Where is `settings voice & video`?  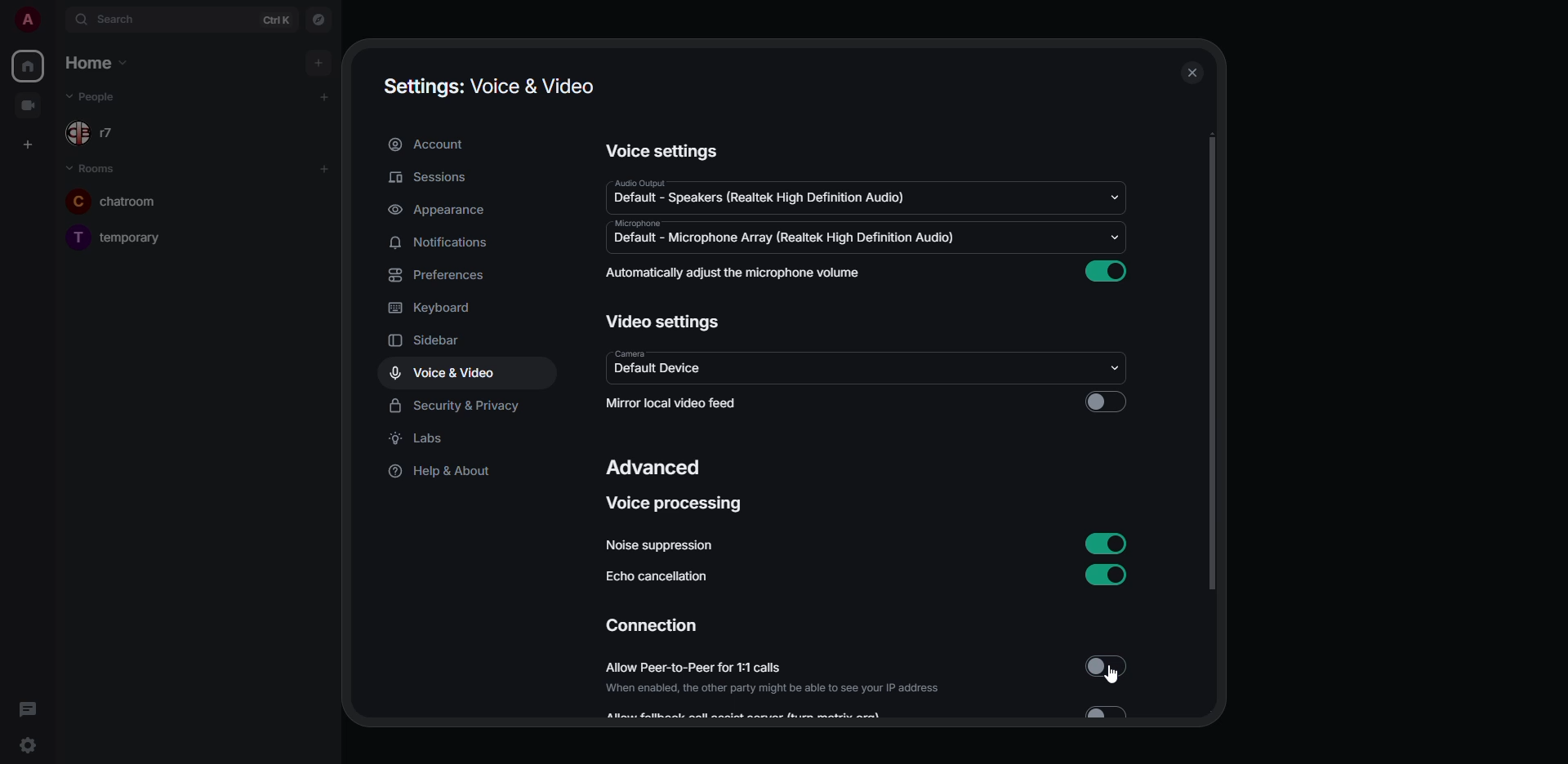
settings voice & video is located at coordinates (488, 87).